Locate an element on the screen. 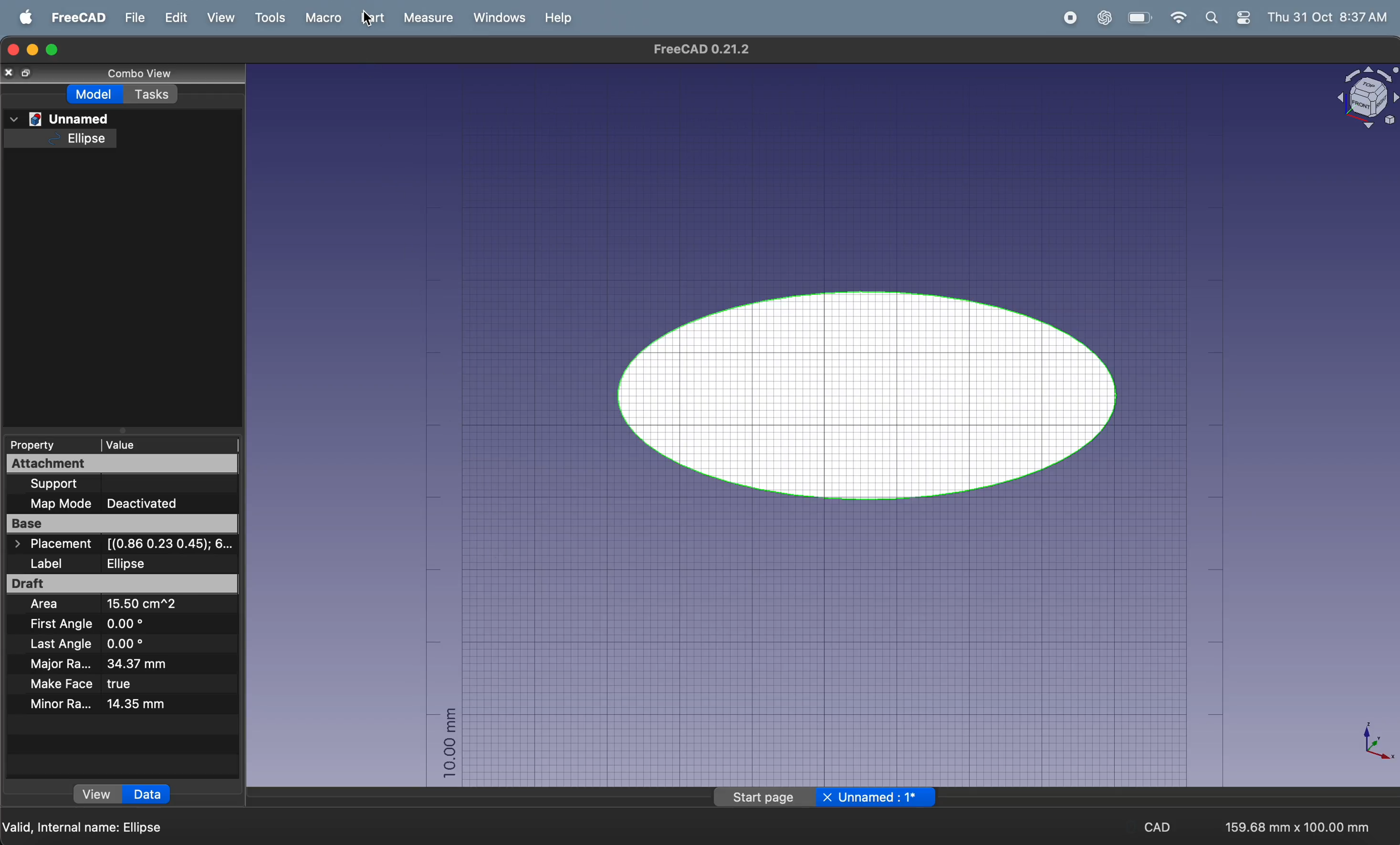 The height and width of the screenshot is (845, 1400). base is located at coordinates (124, 525).